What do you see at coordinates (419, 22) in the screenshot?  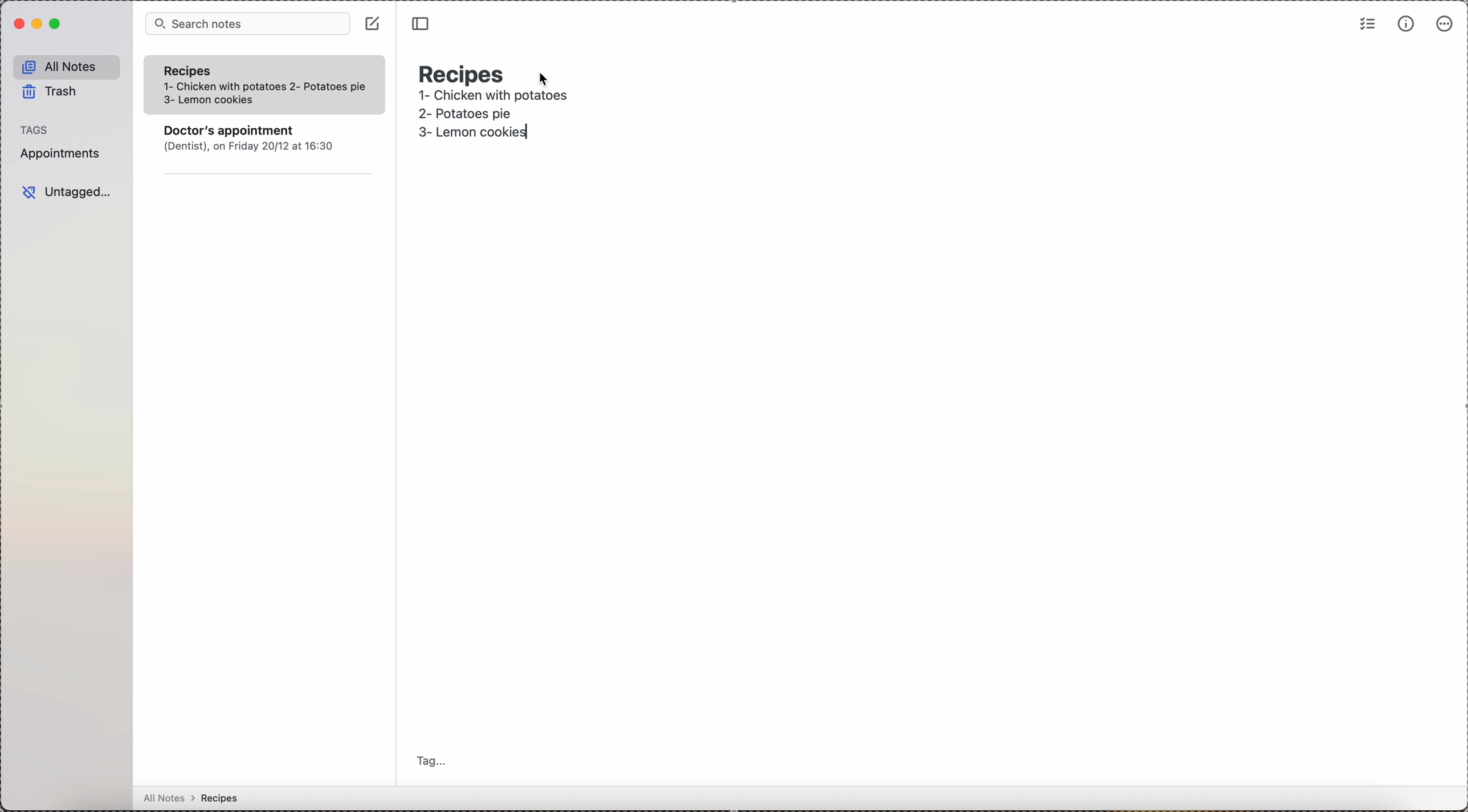 I see `toggle sidebar` at bounding box center [419, 22].